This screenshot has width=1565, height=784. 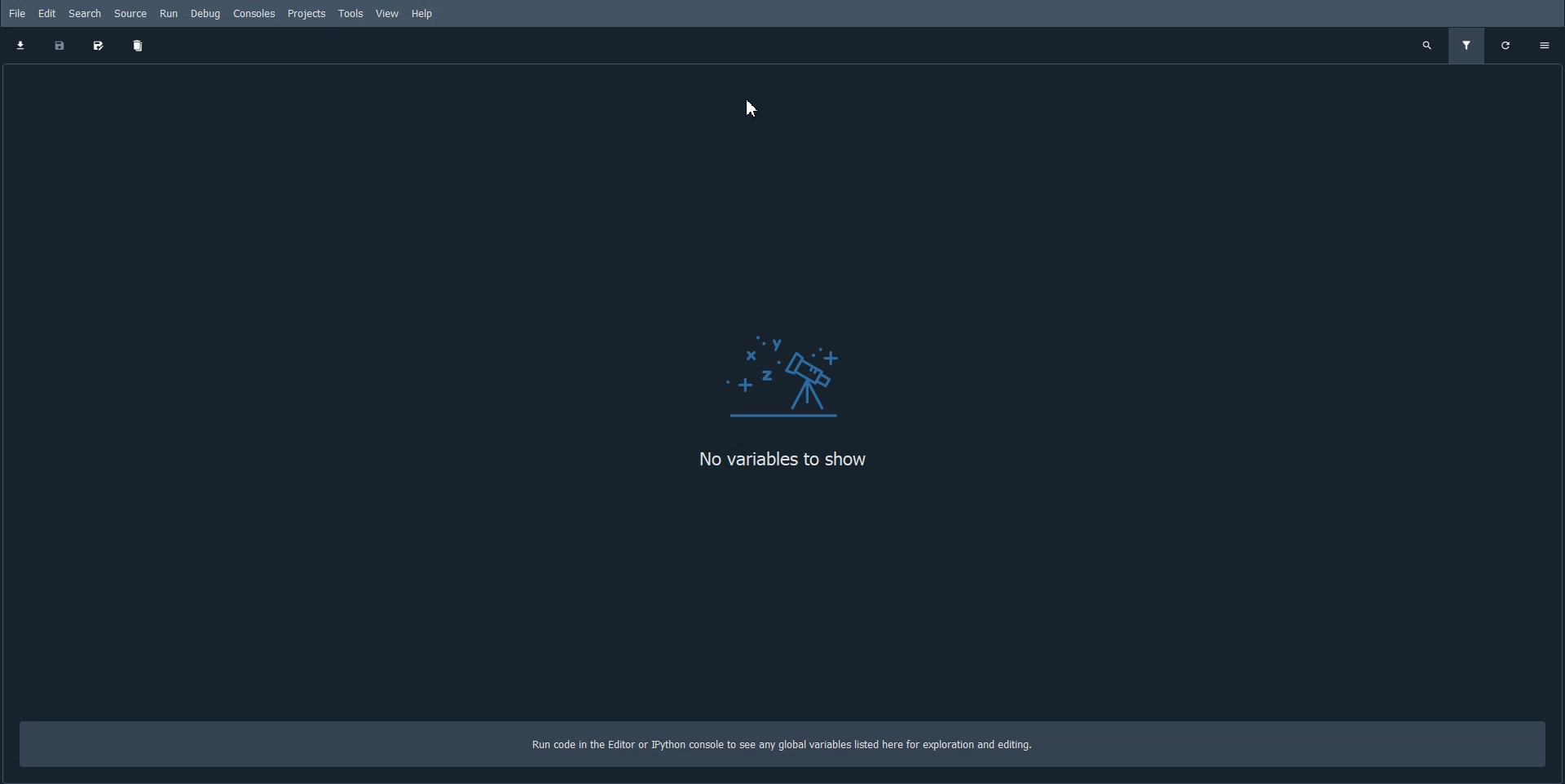 I want to click on Run, so click(x=170, y=14).